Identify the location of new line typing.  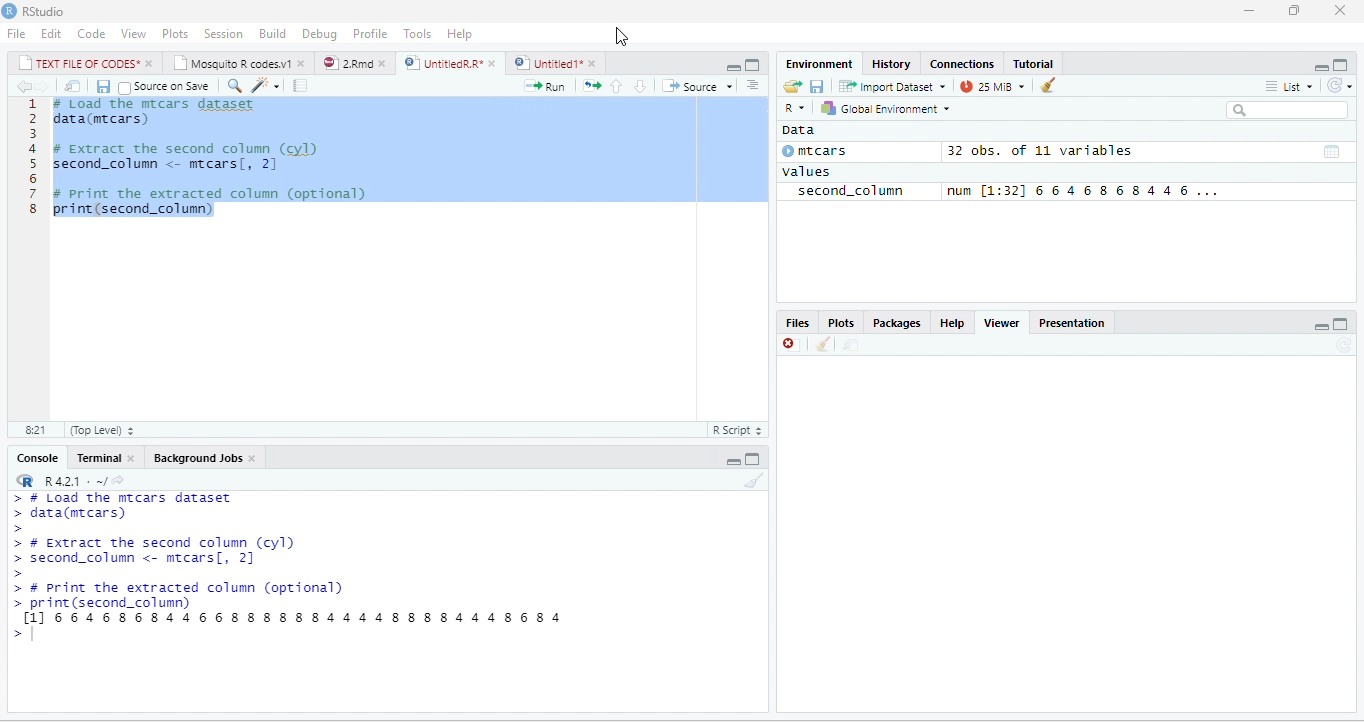
(22, 634).